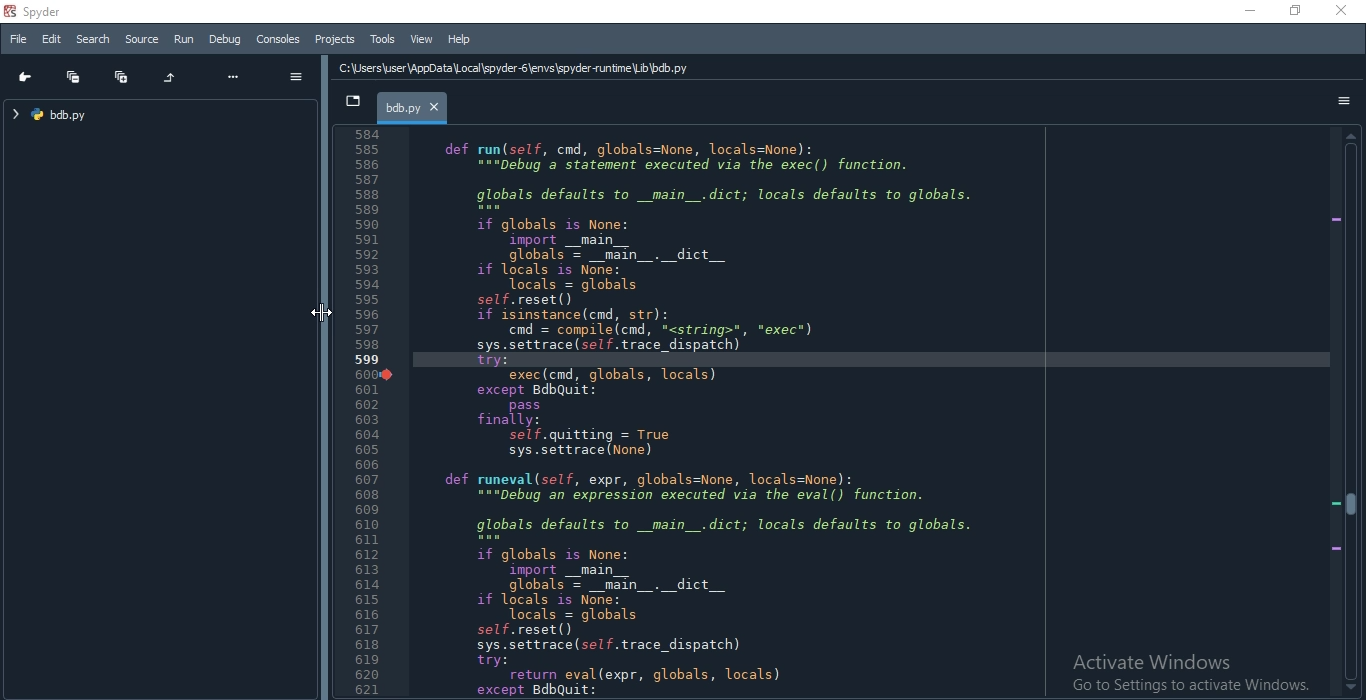 Image resolution: width=1366 pixels, height=700 pixels. I want to click on close, so click(1342, 12).